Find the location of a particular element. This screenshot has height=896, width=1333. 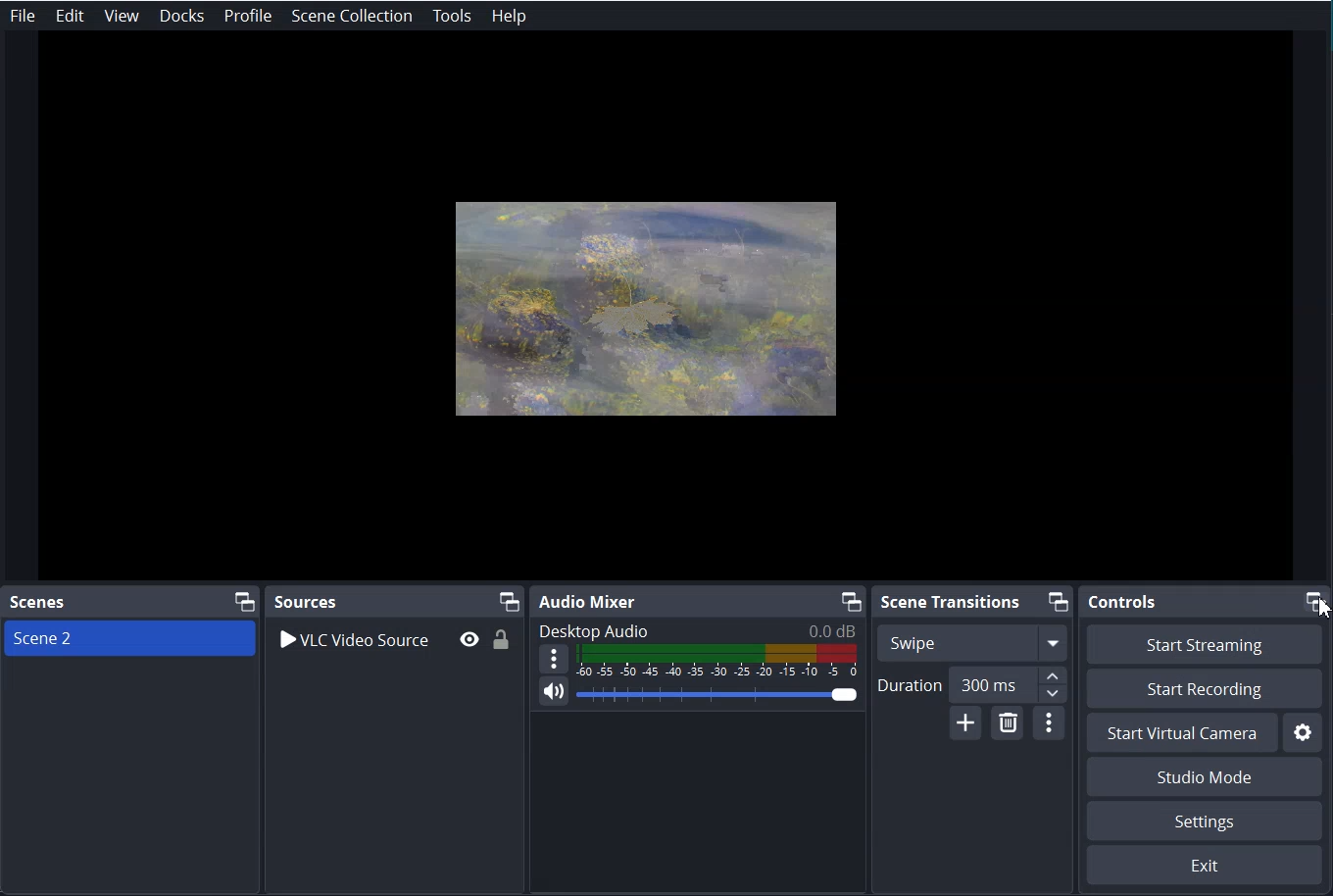

Exit is located at coordinates (1202, 866).